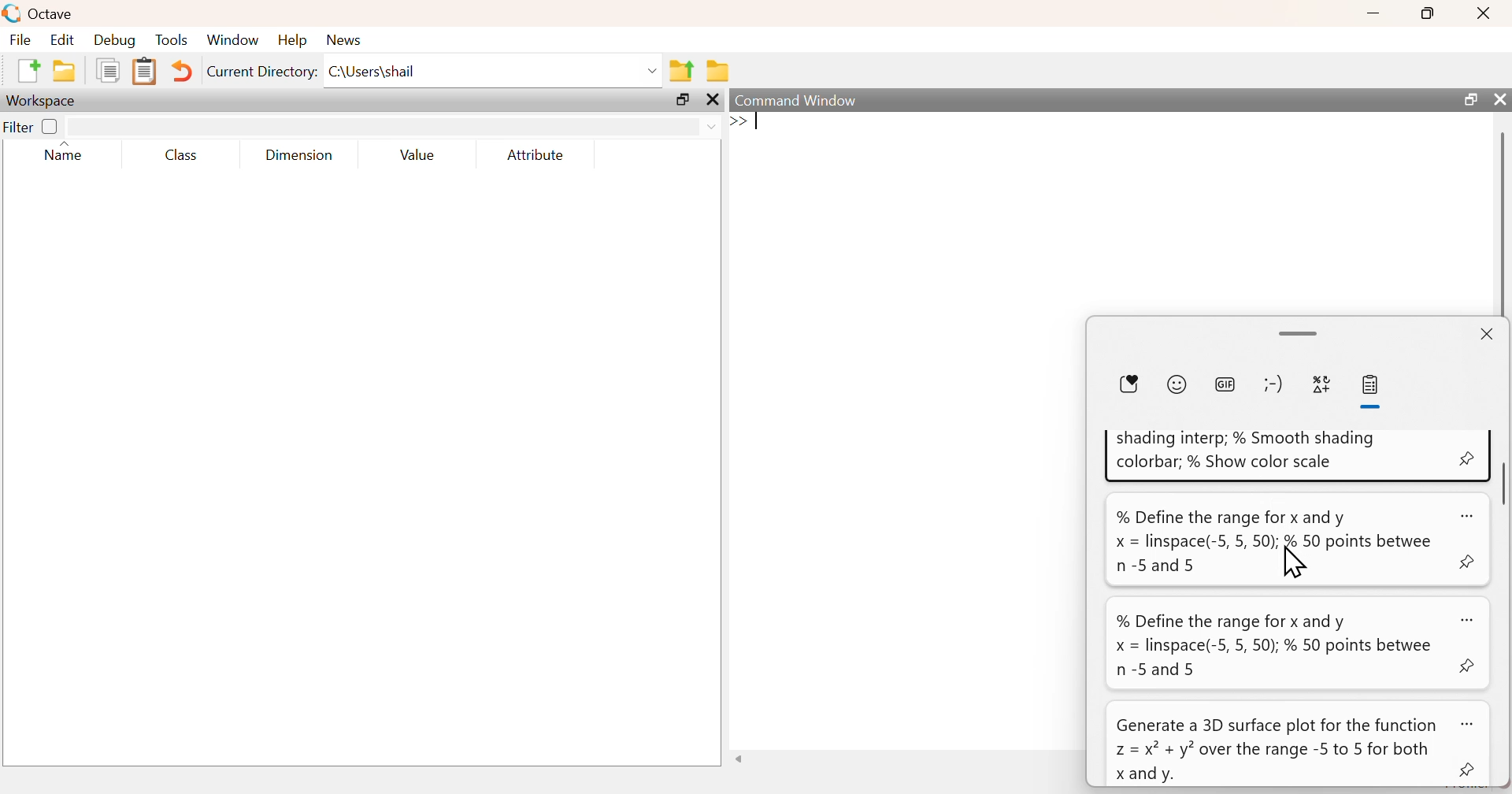  Describe the element at coordinates (1128, 385) in the screenshot. I see `Favorite` at that location.